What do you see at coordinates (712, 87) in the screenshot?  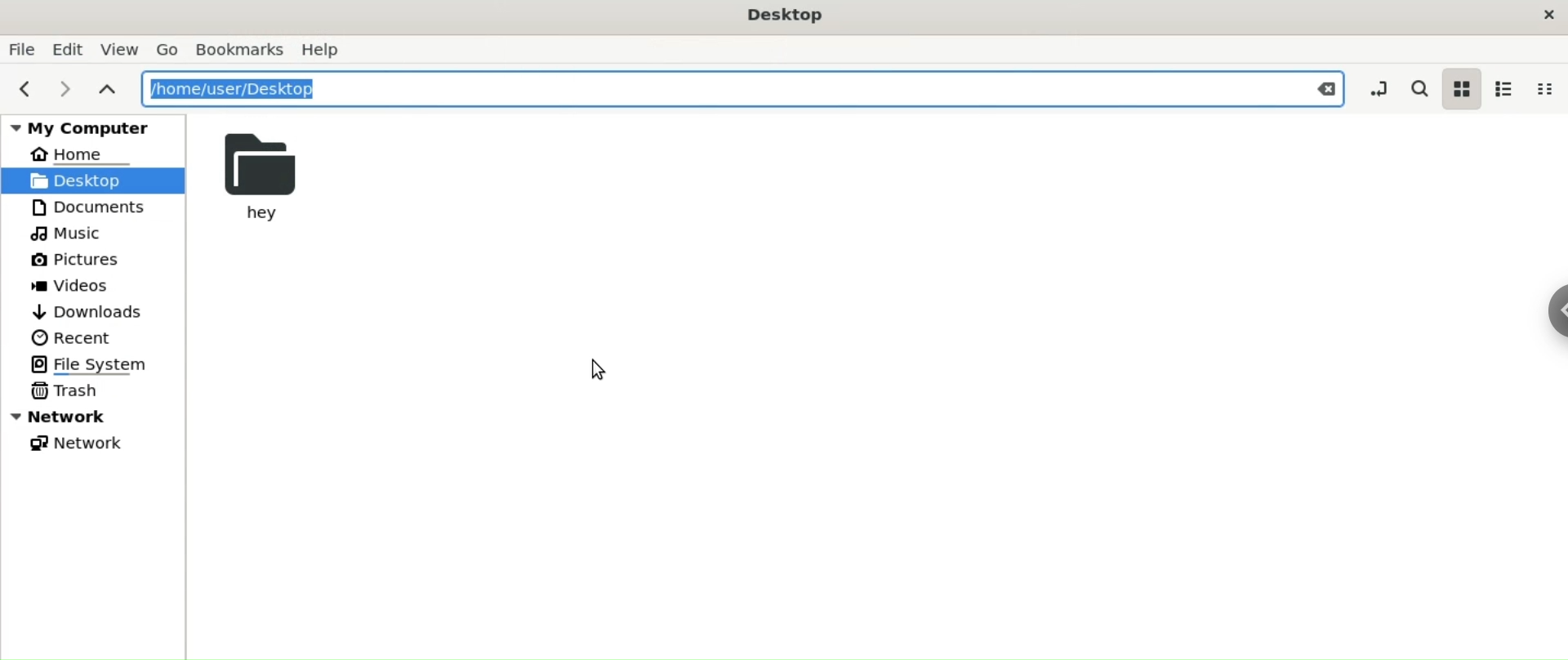 I see `/home/user/Desktop` at bounding box center [712, 87].